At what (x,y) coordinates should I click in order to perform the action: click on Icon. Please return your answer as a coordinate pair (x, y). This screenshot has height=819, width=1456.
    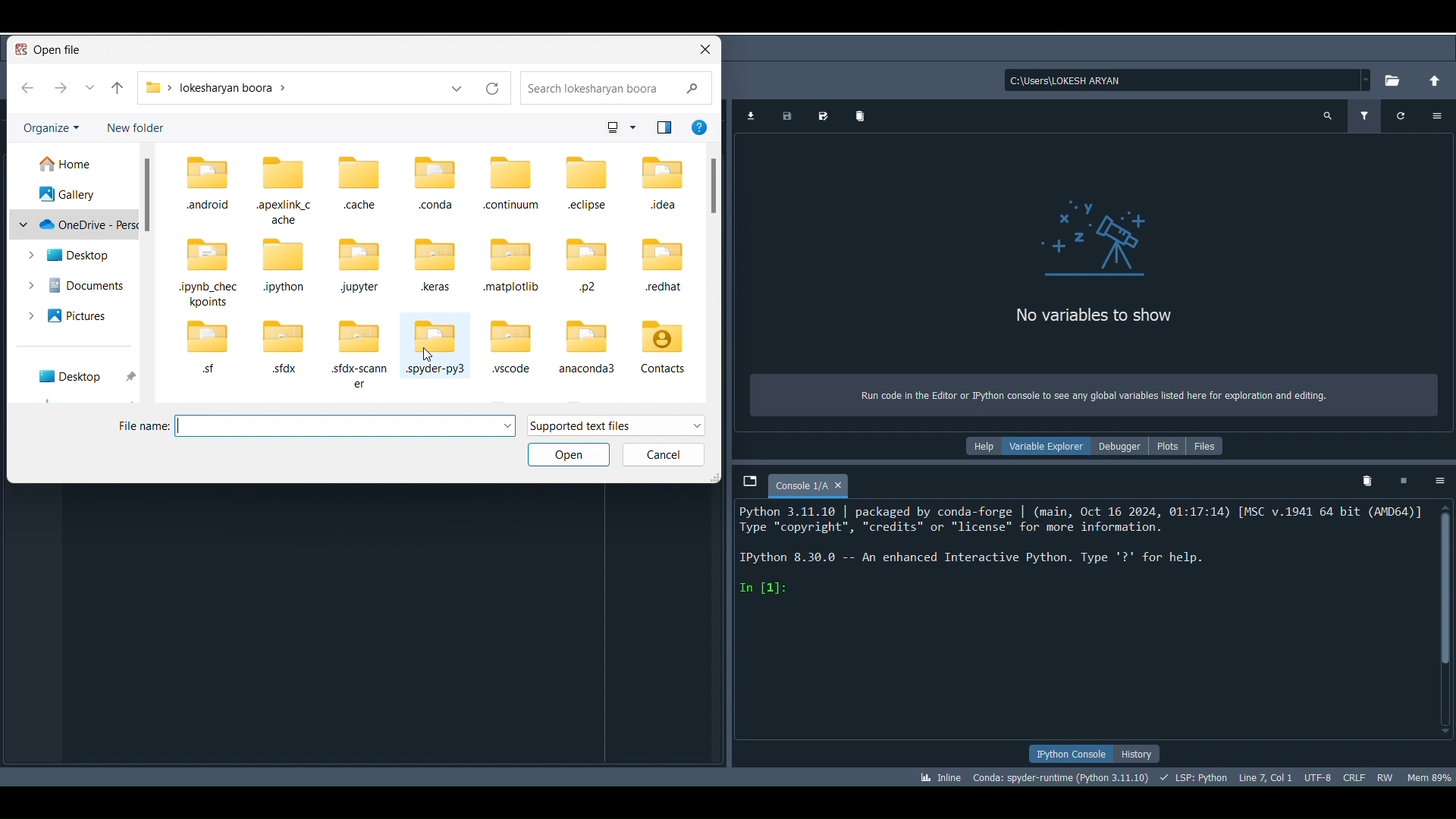
    Looking at the image, I should click on (619, 128).